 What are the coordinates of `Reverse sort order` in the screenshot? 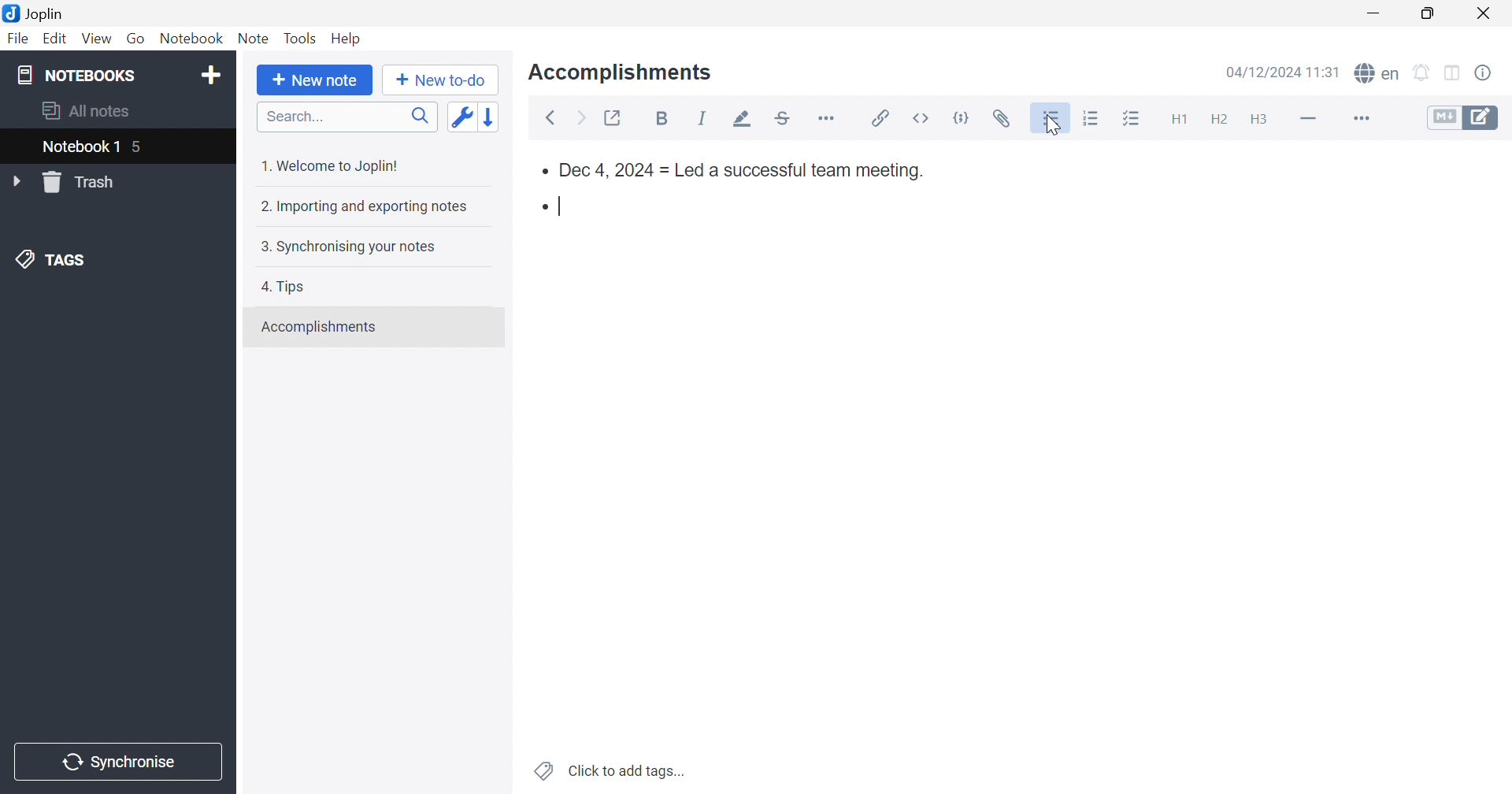 It's located at (490, 117).